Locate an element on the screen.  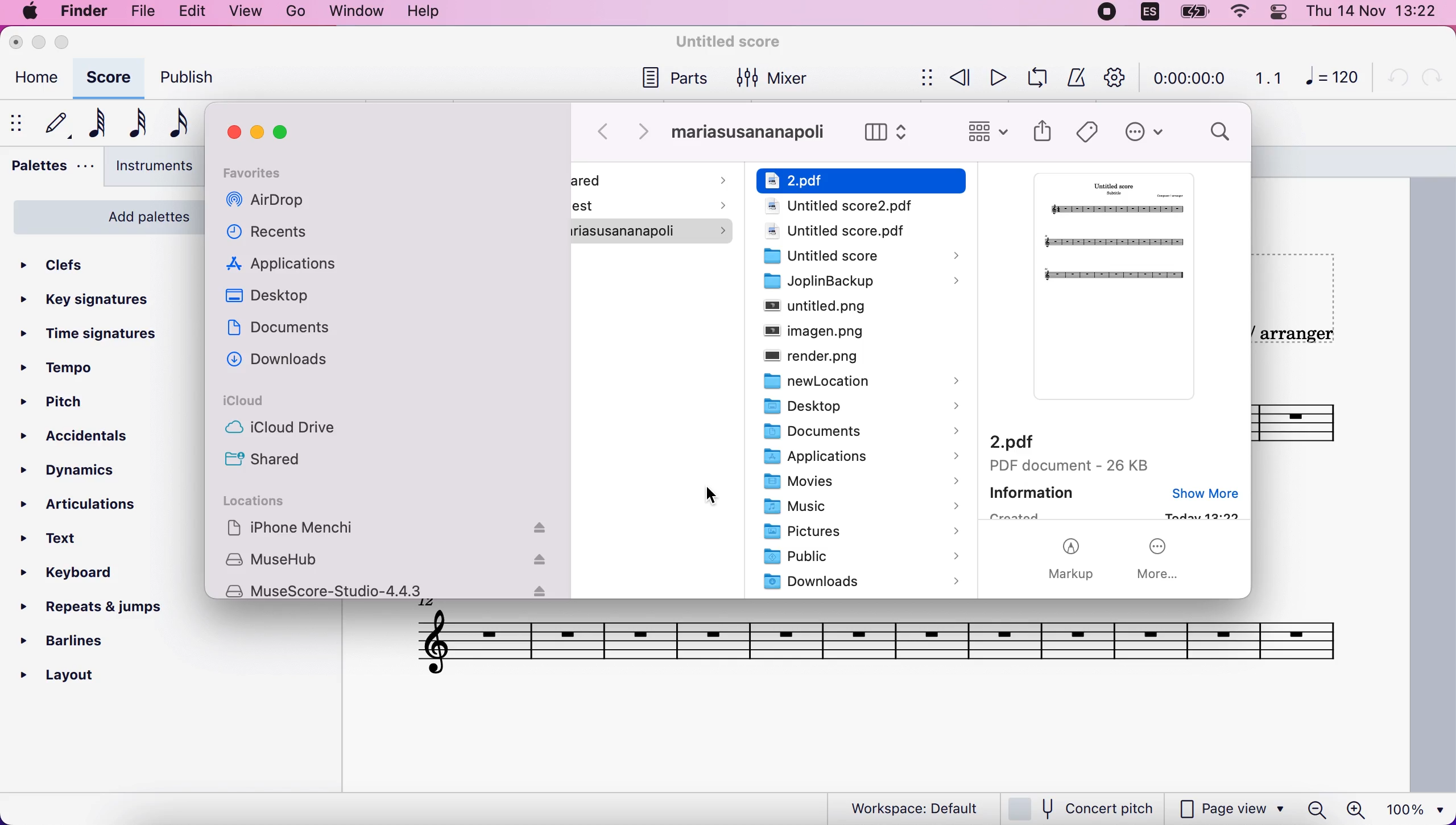
markup is located at coordinates (1077, 560).